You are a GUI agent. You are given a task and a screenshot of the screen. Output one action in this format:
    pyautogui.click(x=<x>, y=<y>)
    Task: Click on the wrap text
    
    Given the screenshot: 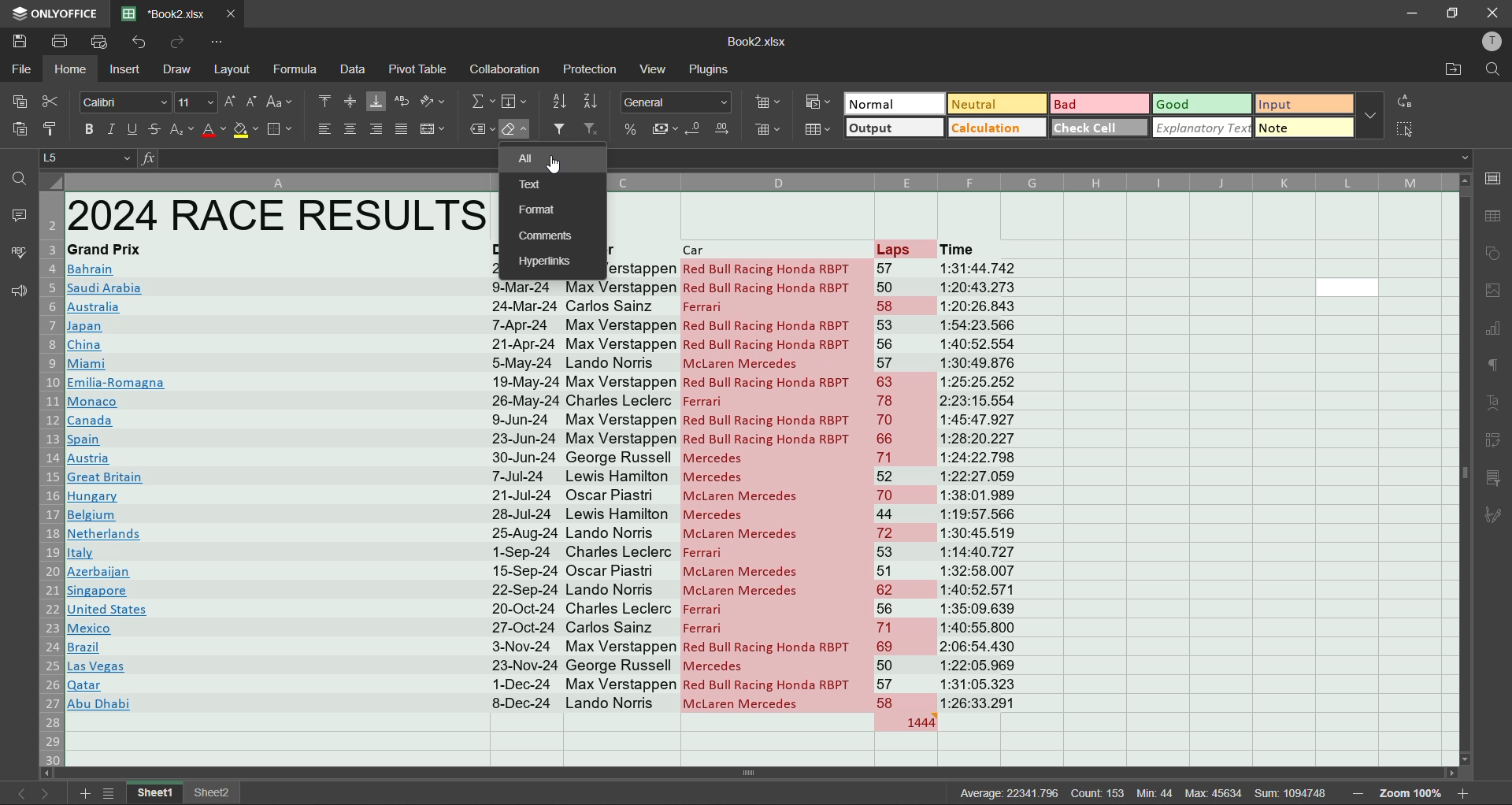 What is the action you would take?
    pyautogui.click(x=400, y=103)
    